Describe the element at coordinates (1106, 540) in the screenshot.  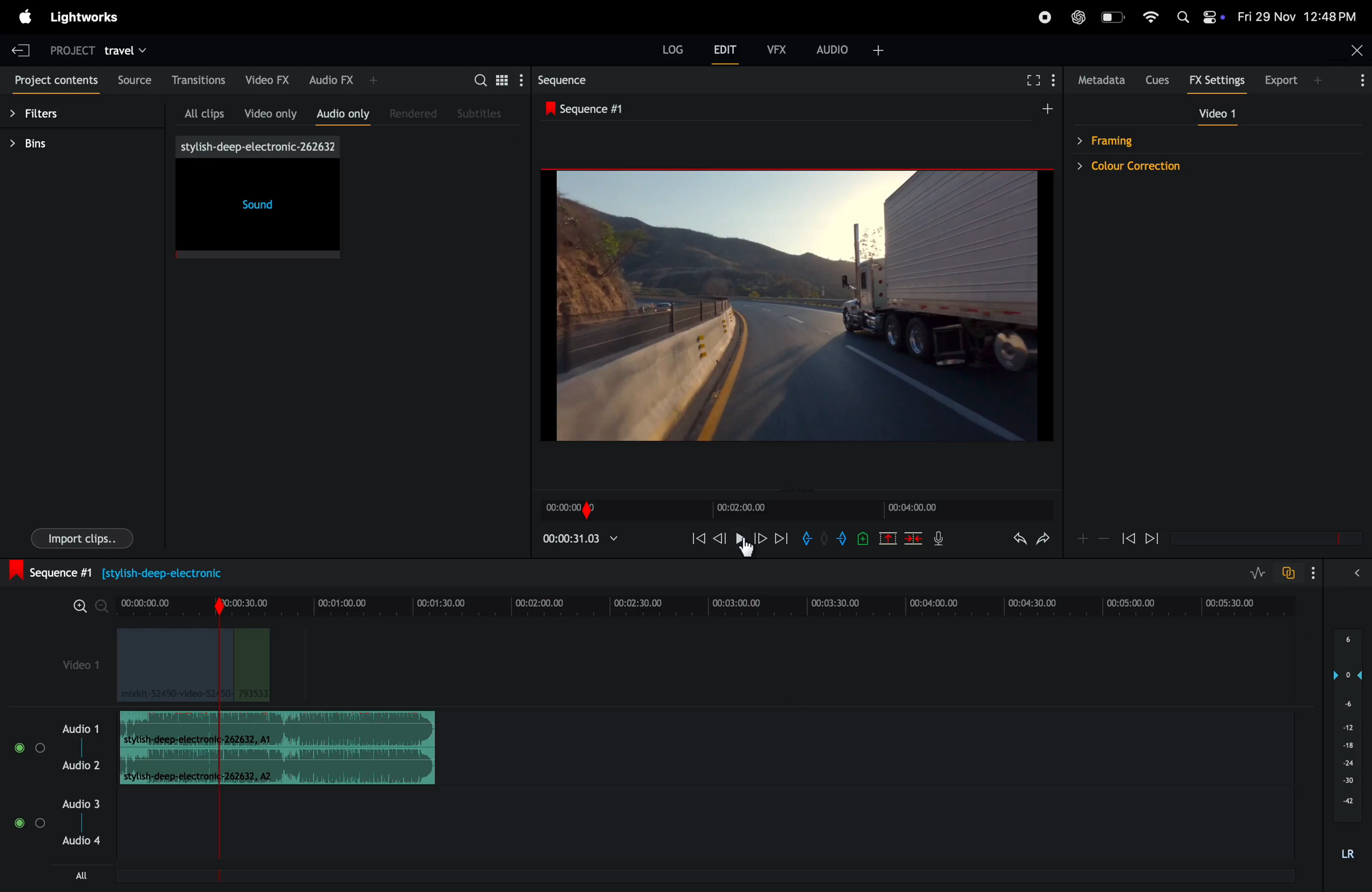
I see `zoom out` at that location.